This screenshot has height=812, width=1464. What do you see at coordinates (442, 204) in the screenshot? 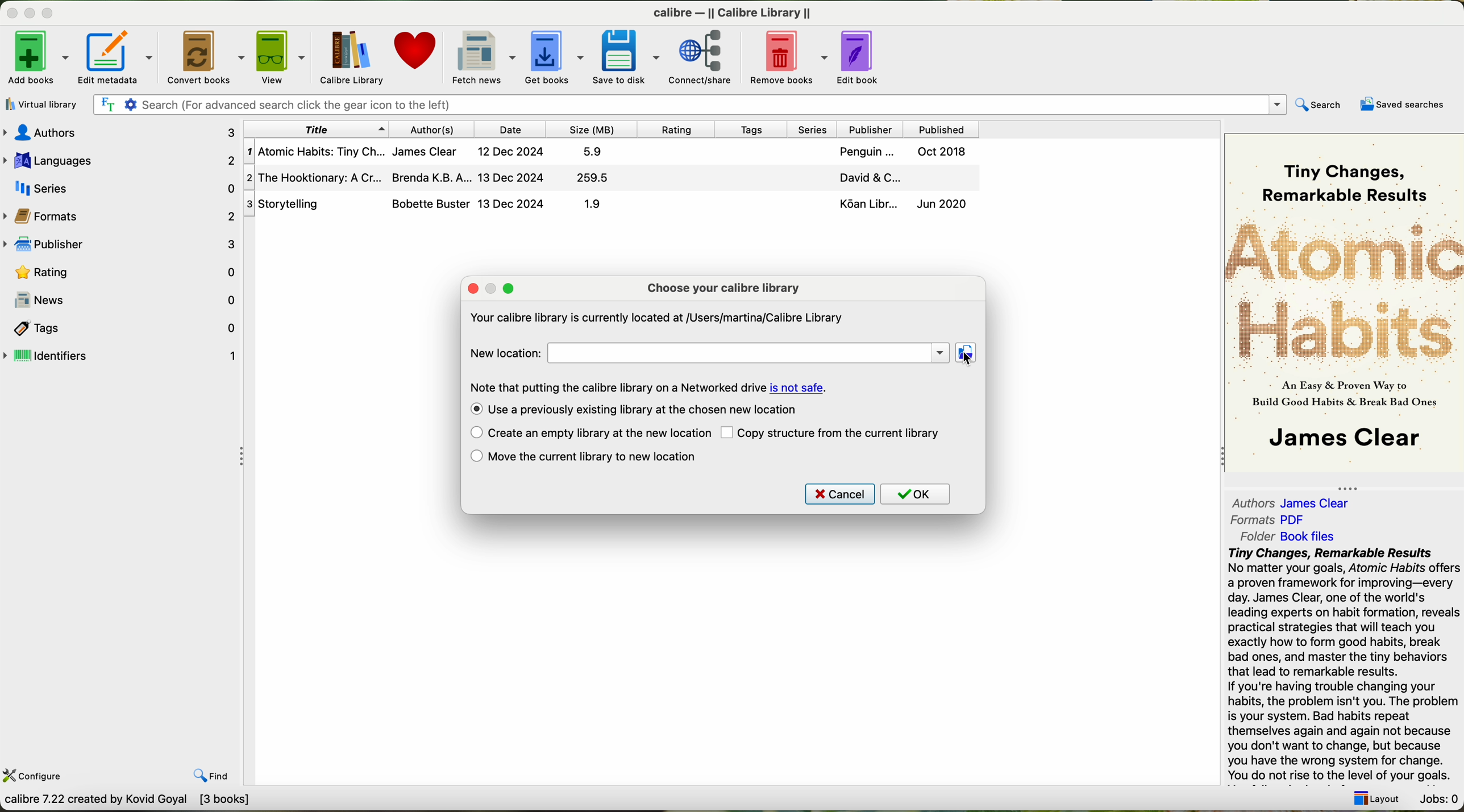
I see `3| Storytelling Bobette Buster 13 Dec 2024 1.9` at bounding box center [442, 204].